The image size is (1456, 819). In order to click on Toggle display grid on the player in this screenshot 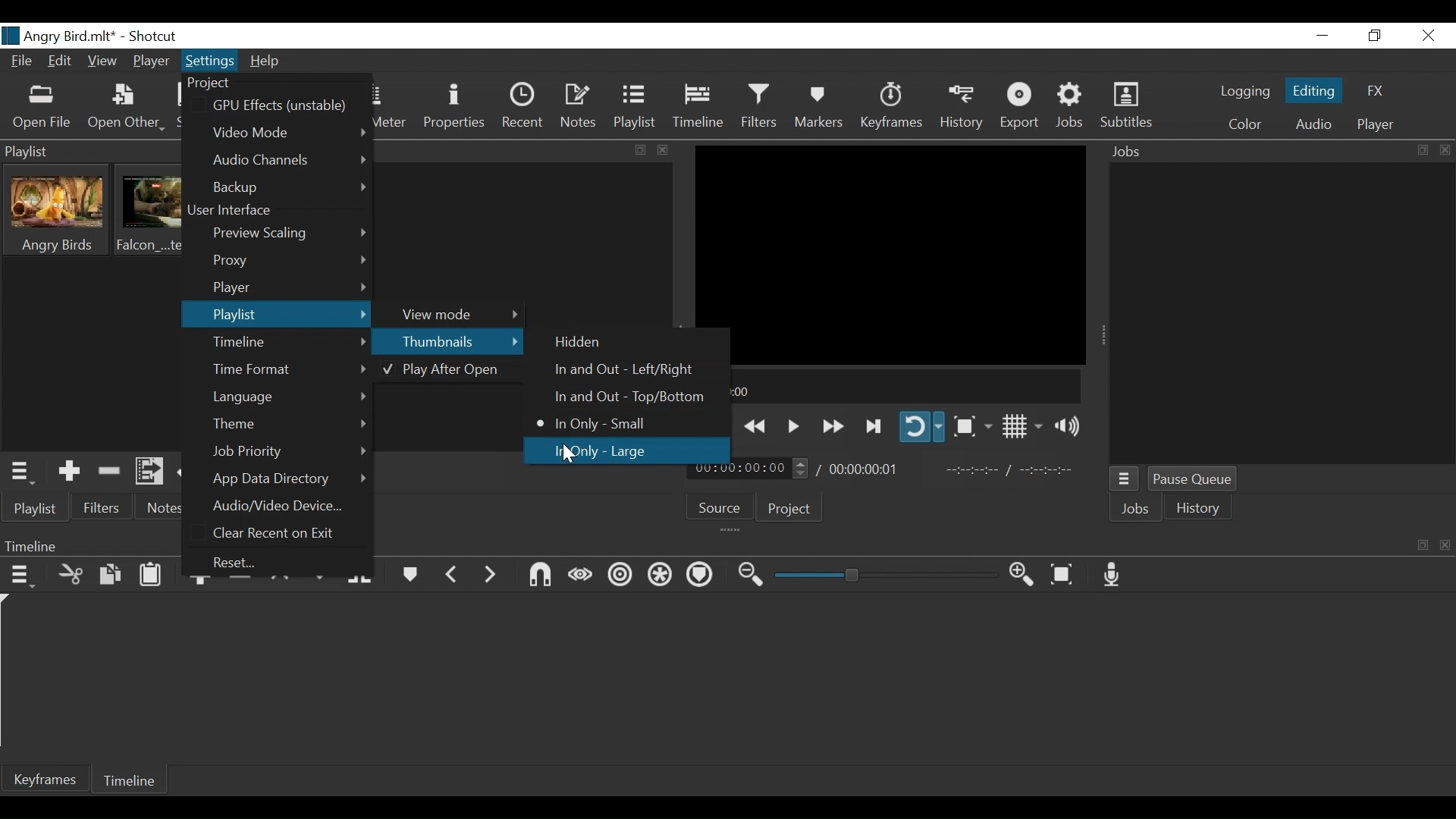, I will do `click(1022, 427)`.